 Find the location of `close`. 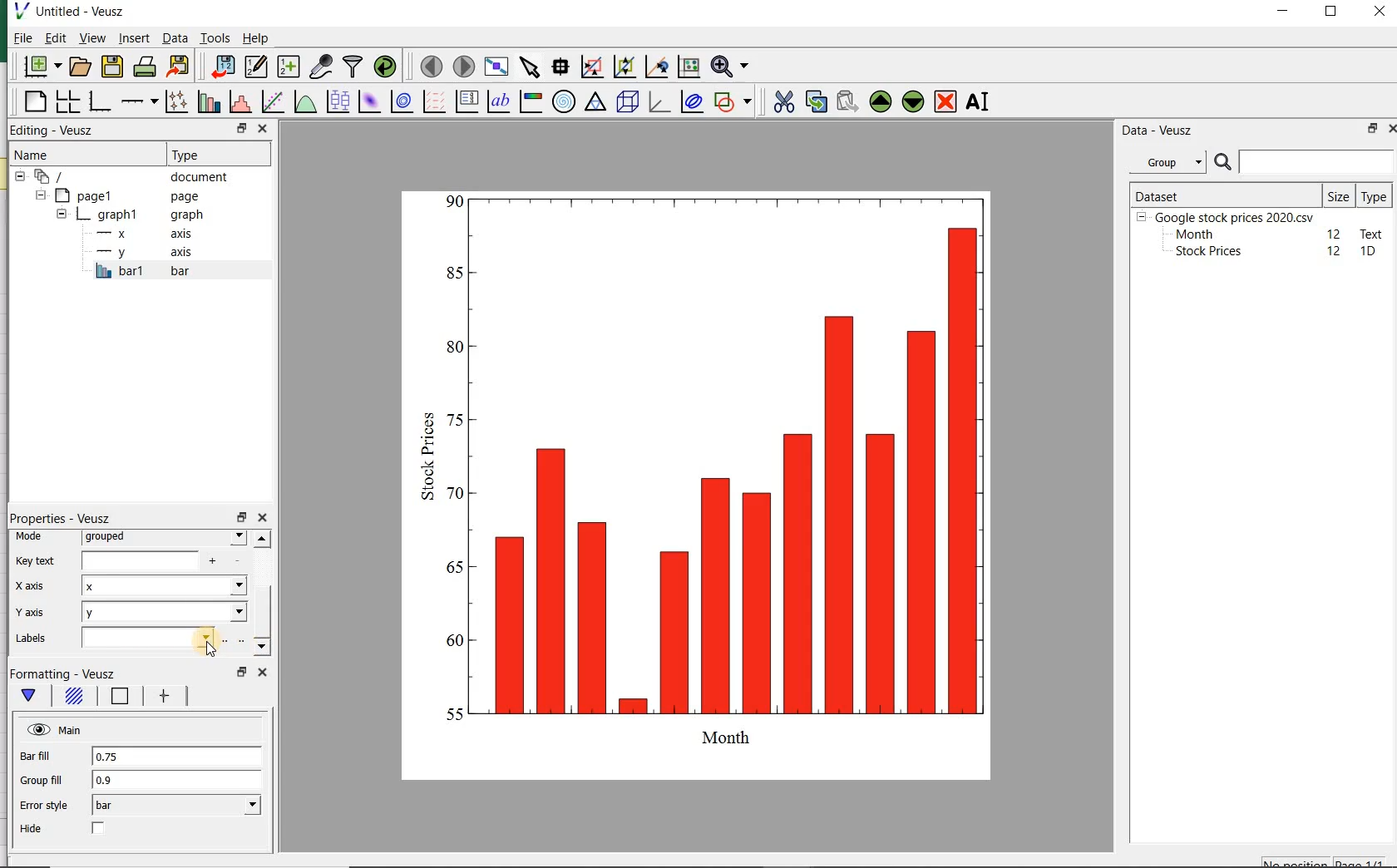

close is located at coordinates (1380, 12).